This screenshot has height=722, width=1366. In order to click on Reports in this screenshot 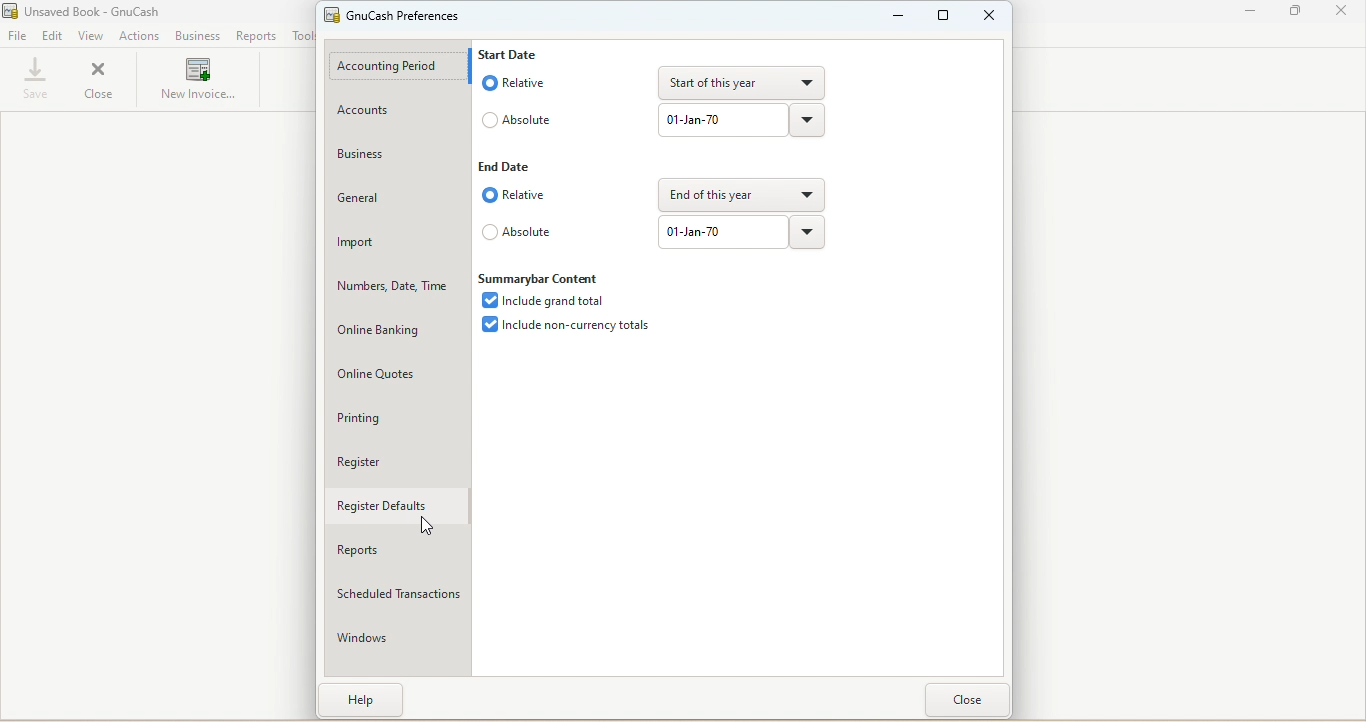, I will do `click(399, 551)`.